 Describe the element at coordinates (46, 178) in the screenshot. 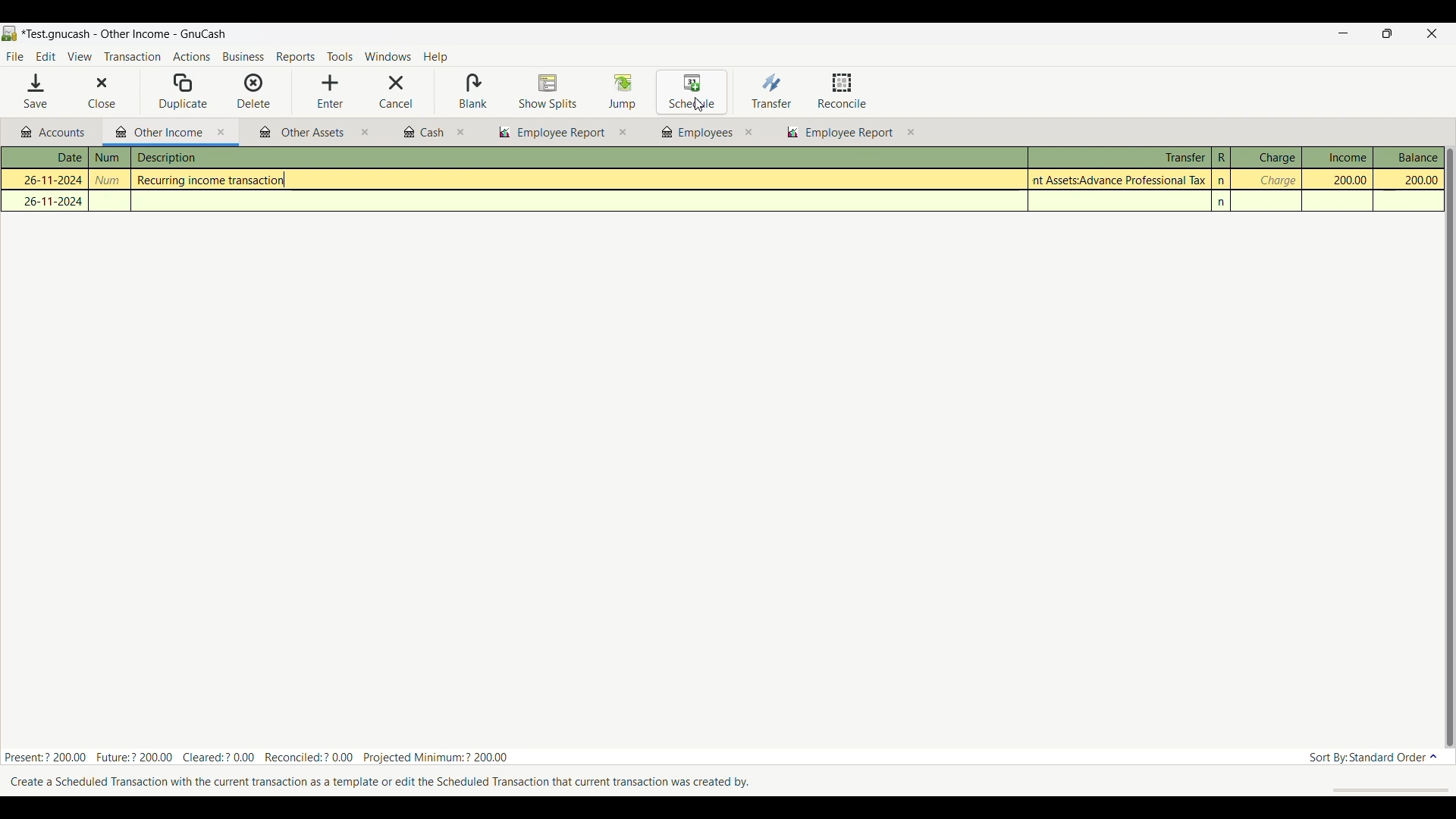

I see `26-11-2024` at that location.